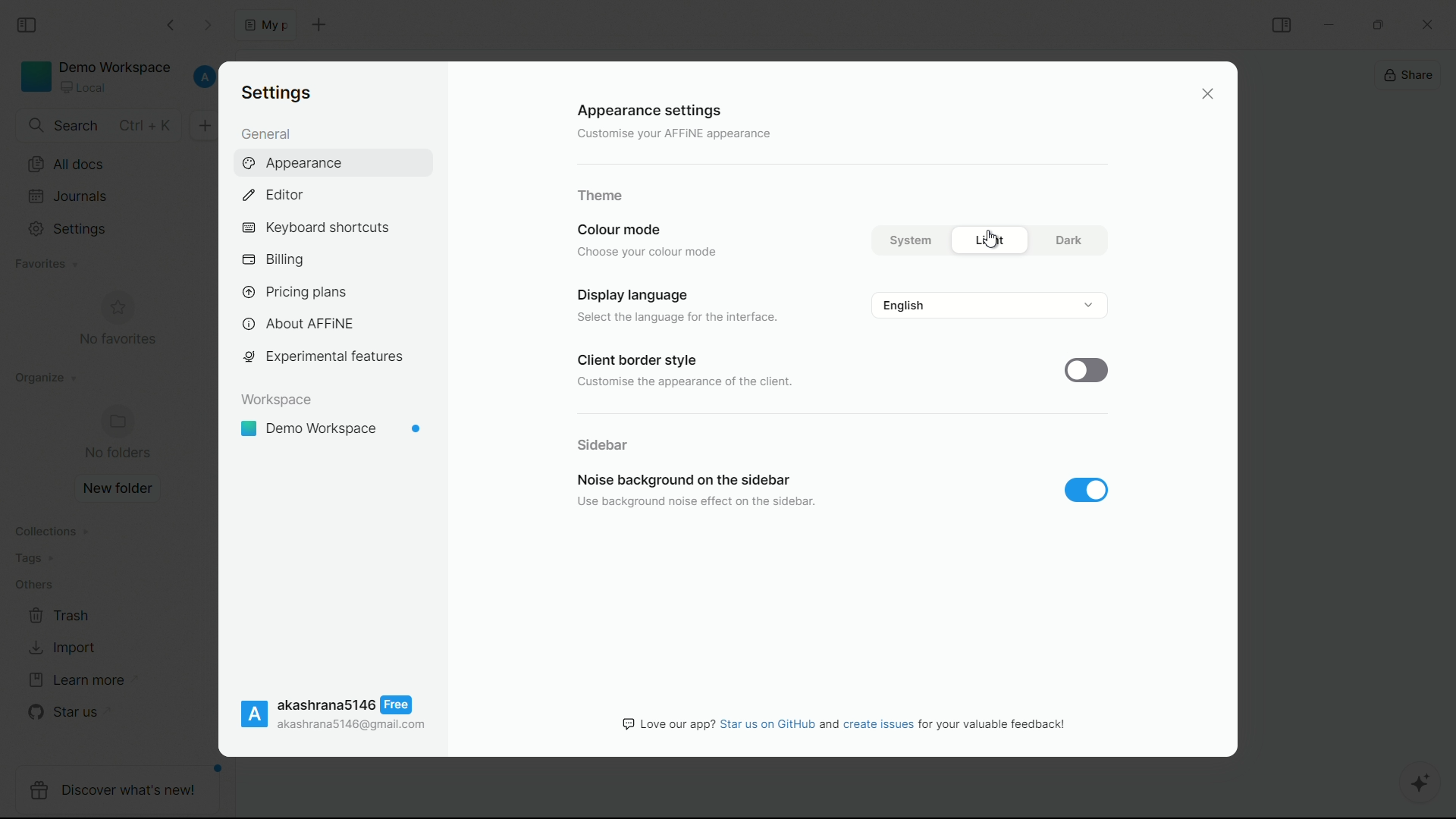  Describe the element at coordinates (40, 381) in the screenshot. I see `organize` at that location.